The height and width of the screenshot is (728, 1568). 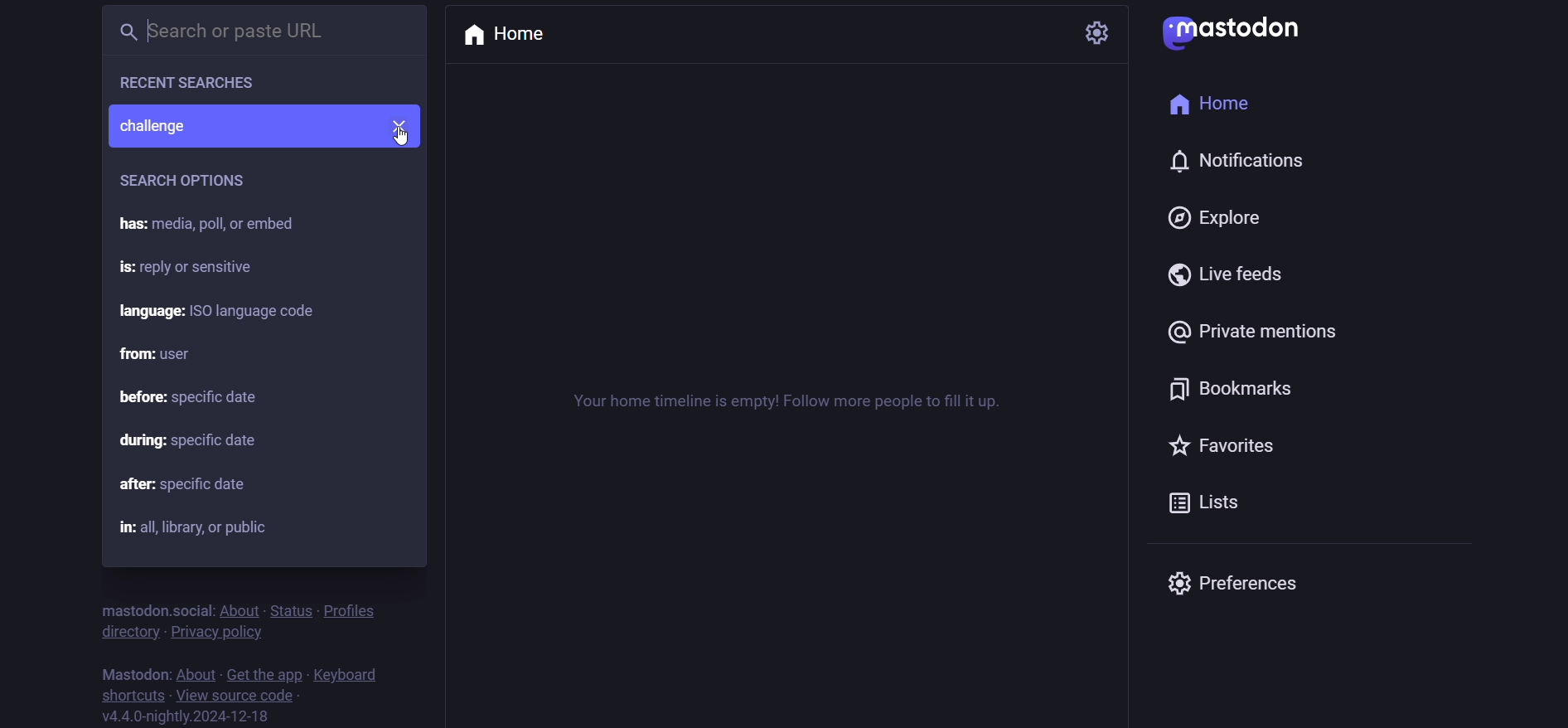 What do you see at coordinates (349, 676) in the screenshot?
I see `keyboard` at bounding box center [349, 676].